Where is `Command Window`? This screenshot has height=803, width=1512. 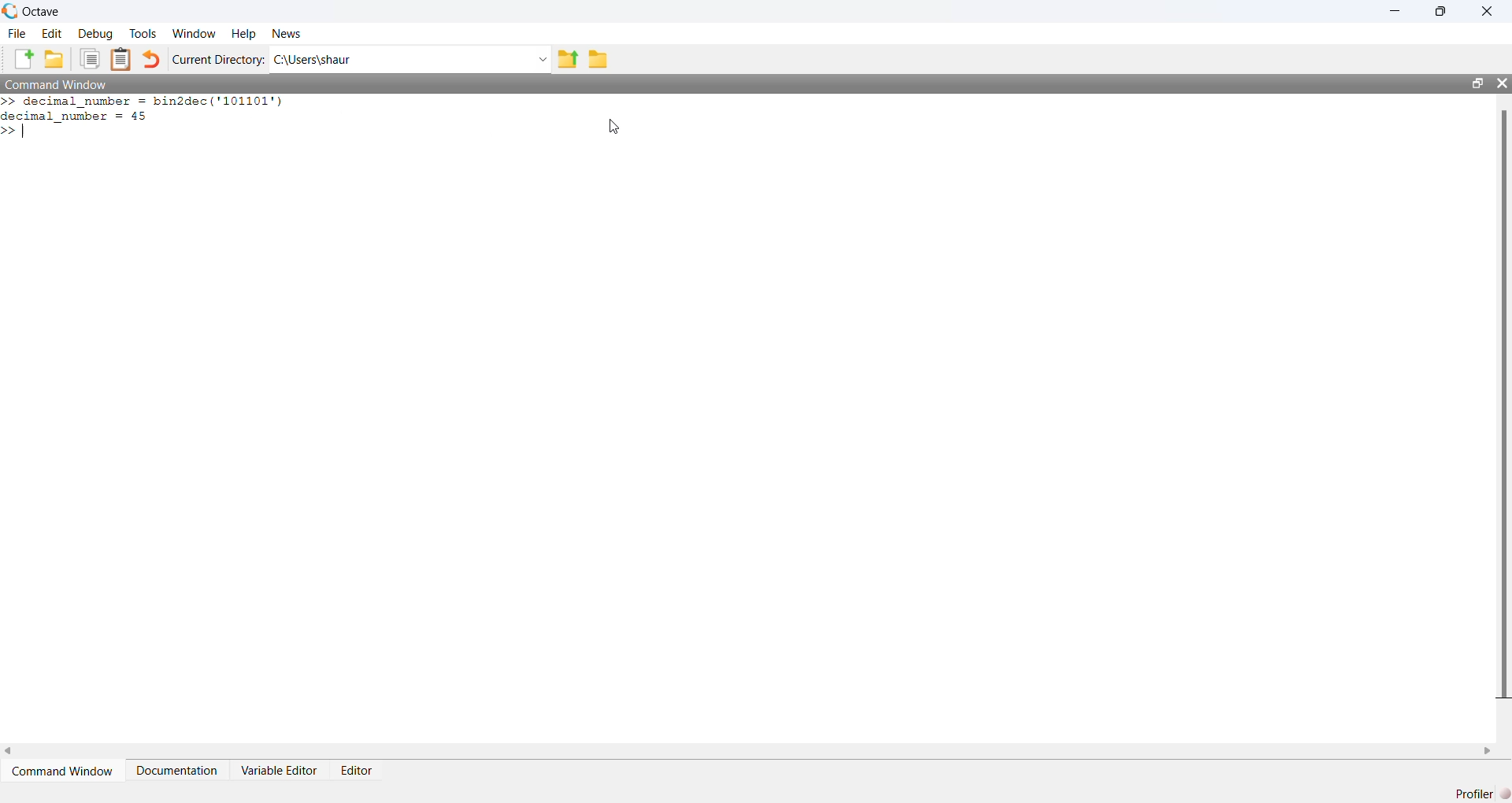 Command Window is located at coordinates (65, 771).